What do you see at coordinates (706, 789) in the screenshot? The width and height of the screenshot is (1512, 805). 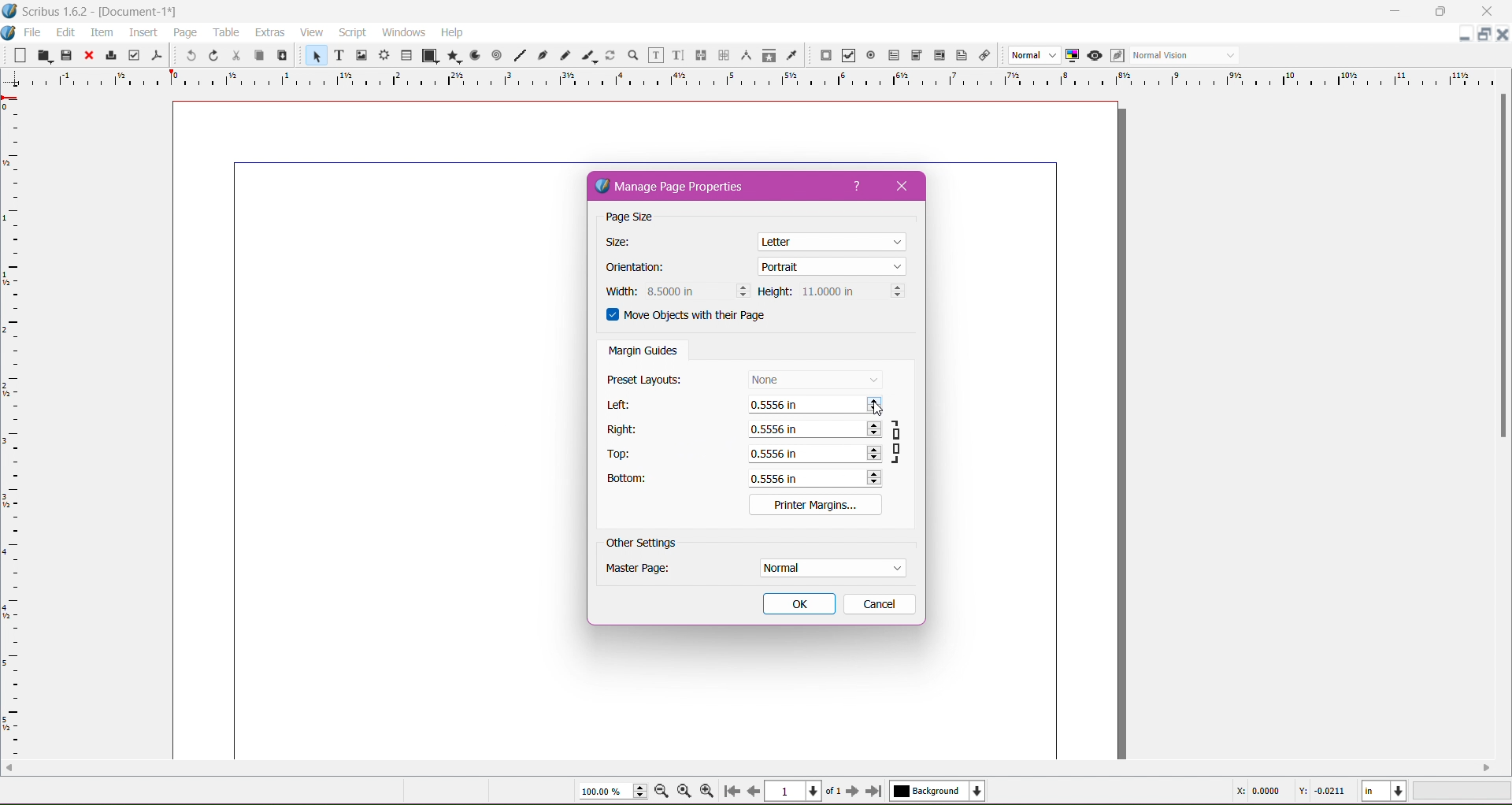 I see `Zoom In by the stepping value in Tools preferences` at bounding box center [706, 789].